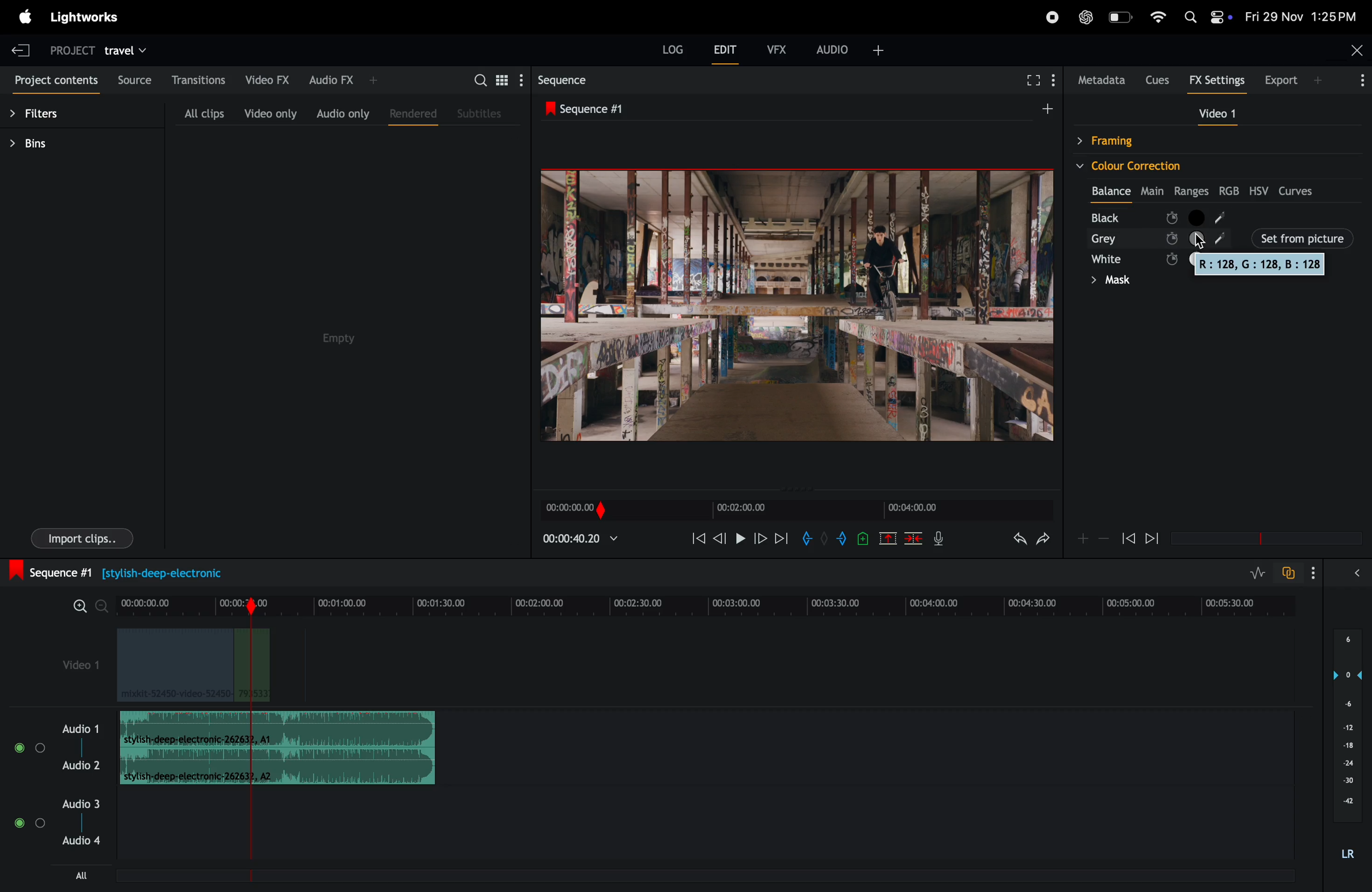 The height and width of the screenshot is (892, 1372). What do you see at coordinates (82, 538) in the screenshot?
I see `import clips` at bounding box center [82, 538].